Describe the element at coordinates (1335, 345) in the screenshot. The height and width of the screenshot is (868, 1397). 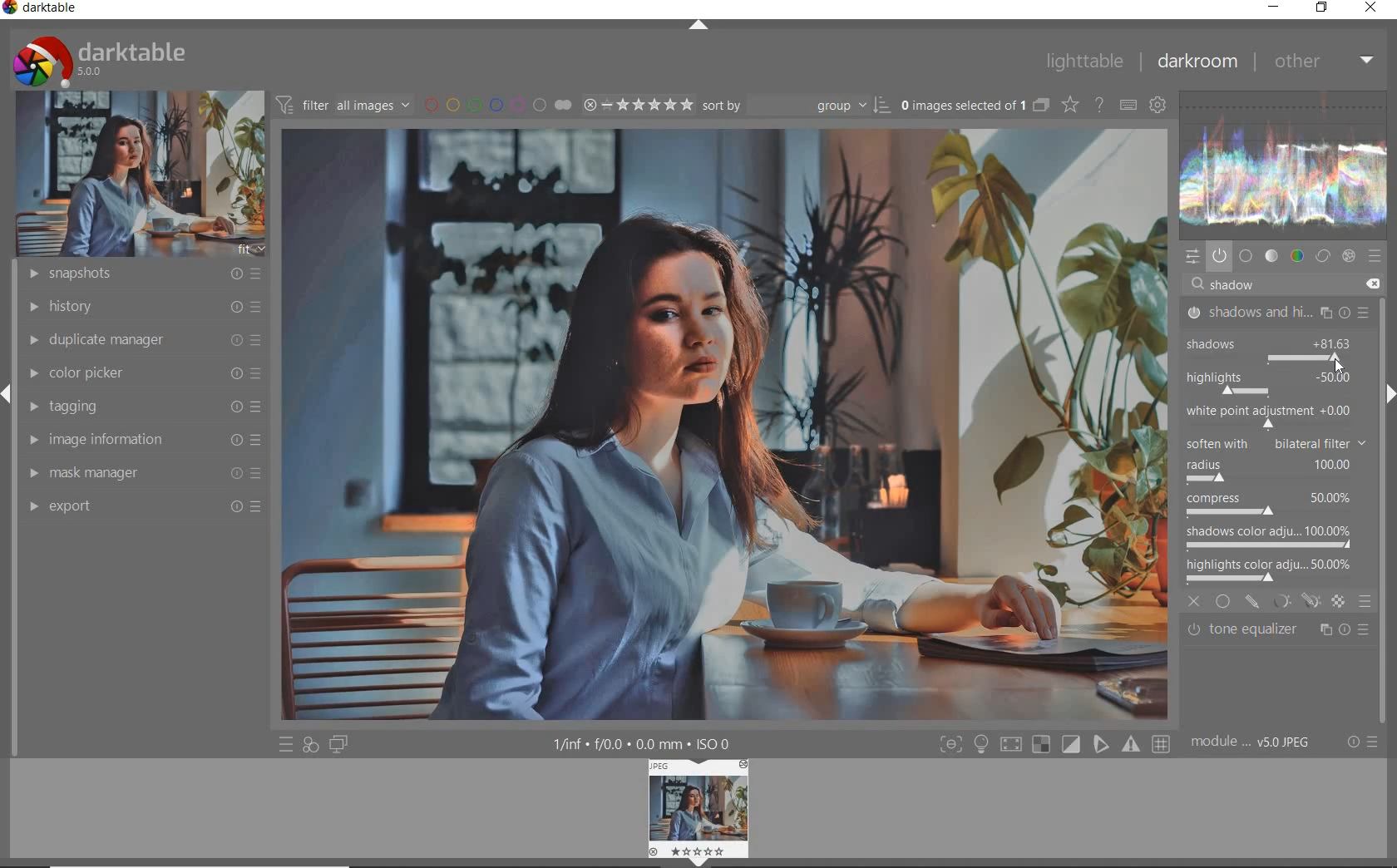
I see `show increased to 81.63` at that location.